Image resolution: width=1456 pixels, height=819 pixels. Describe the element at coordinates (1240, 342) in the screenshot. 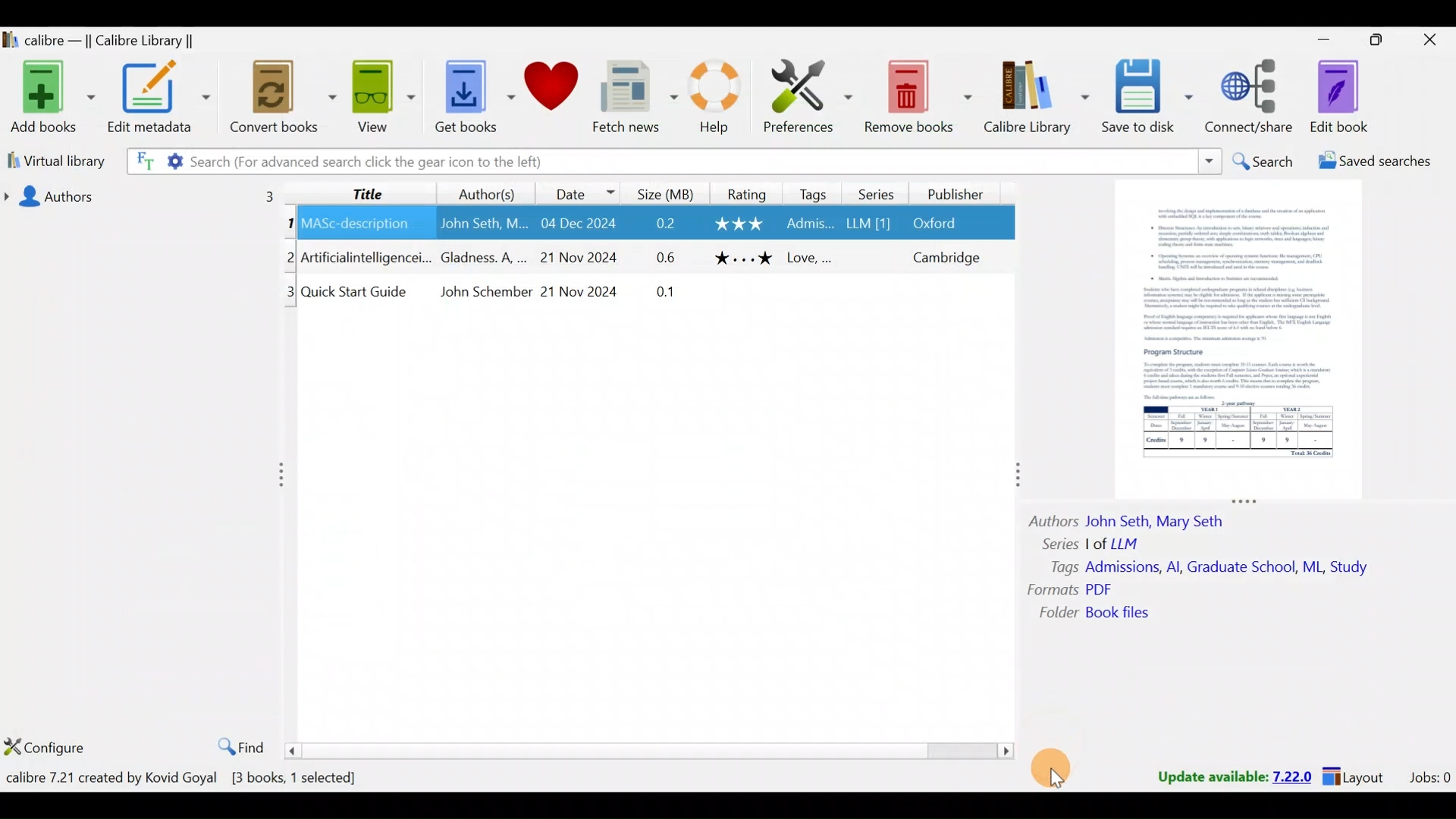

I see `` at that location.